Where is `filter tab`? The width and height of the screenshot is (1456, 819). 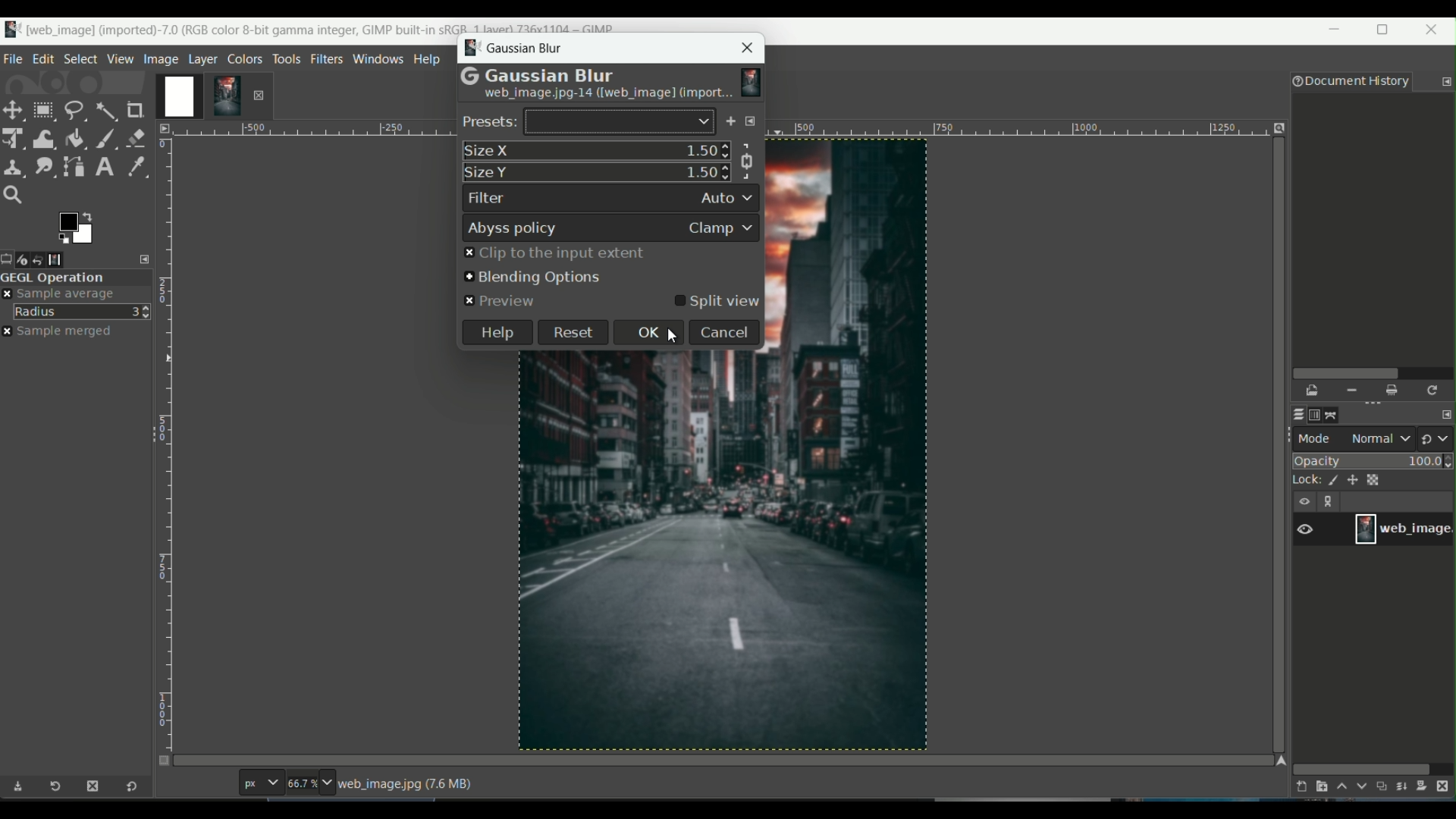 filter tab is located at coordinates (326, 58).